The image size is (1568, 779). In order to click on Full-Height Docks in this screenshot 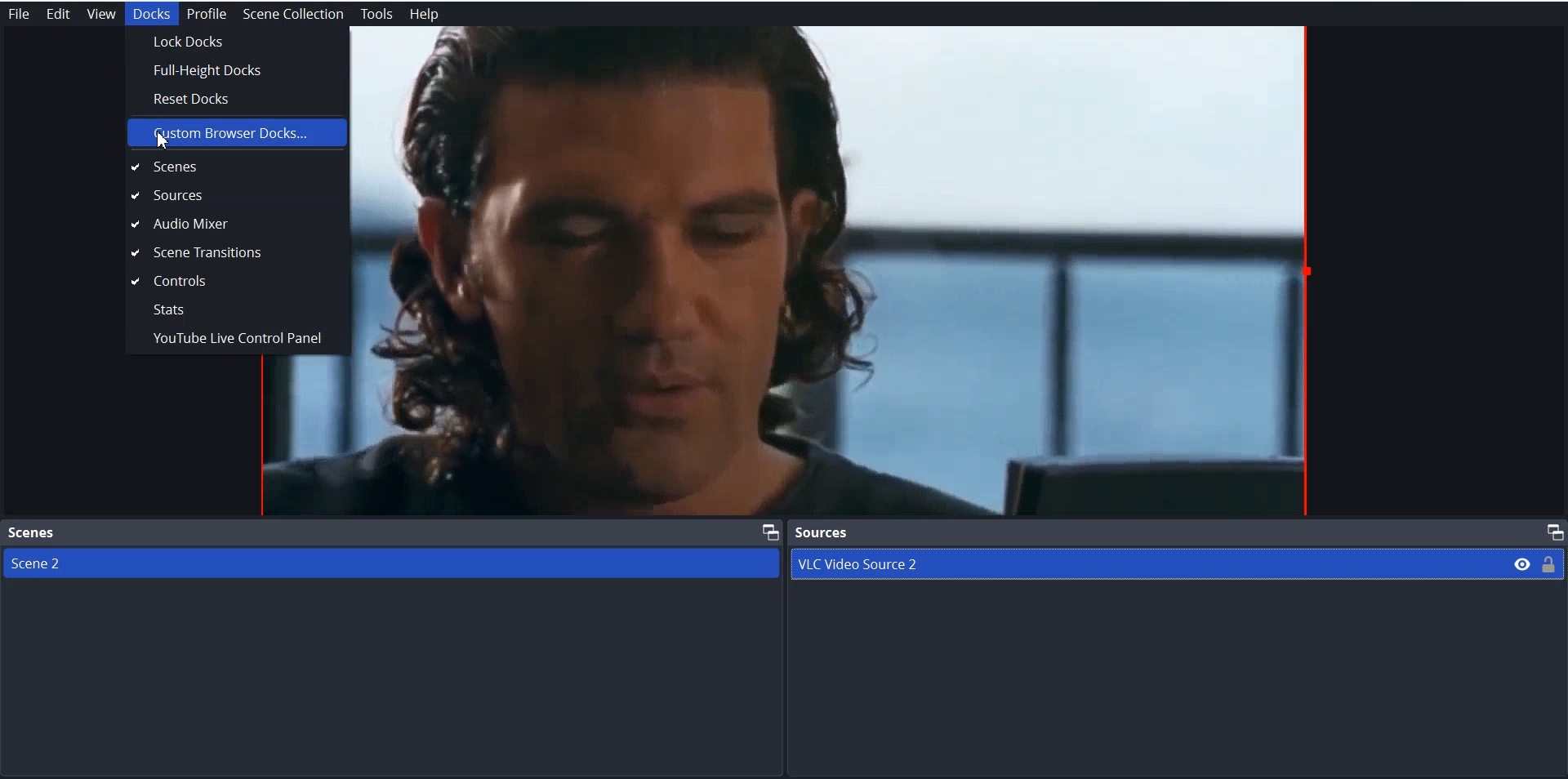, I will do `click(232, 70)`.